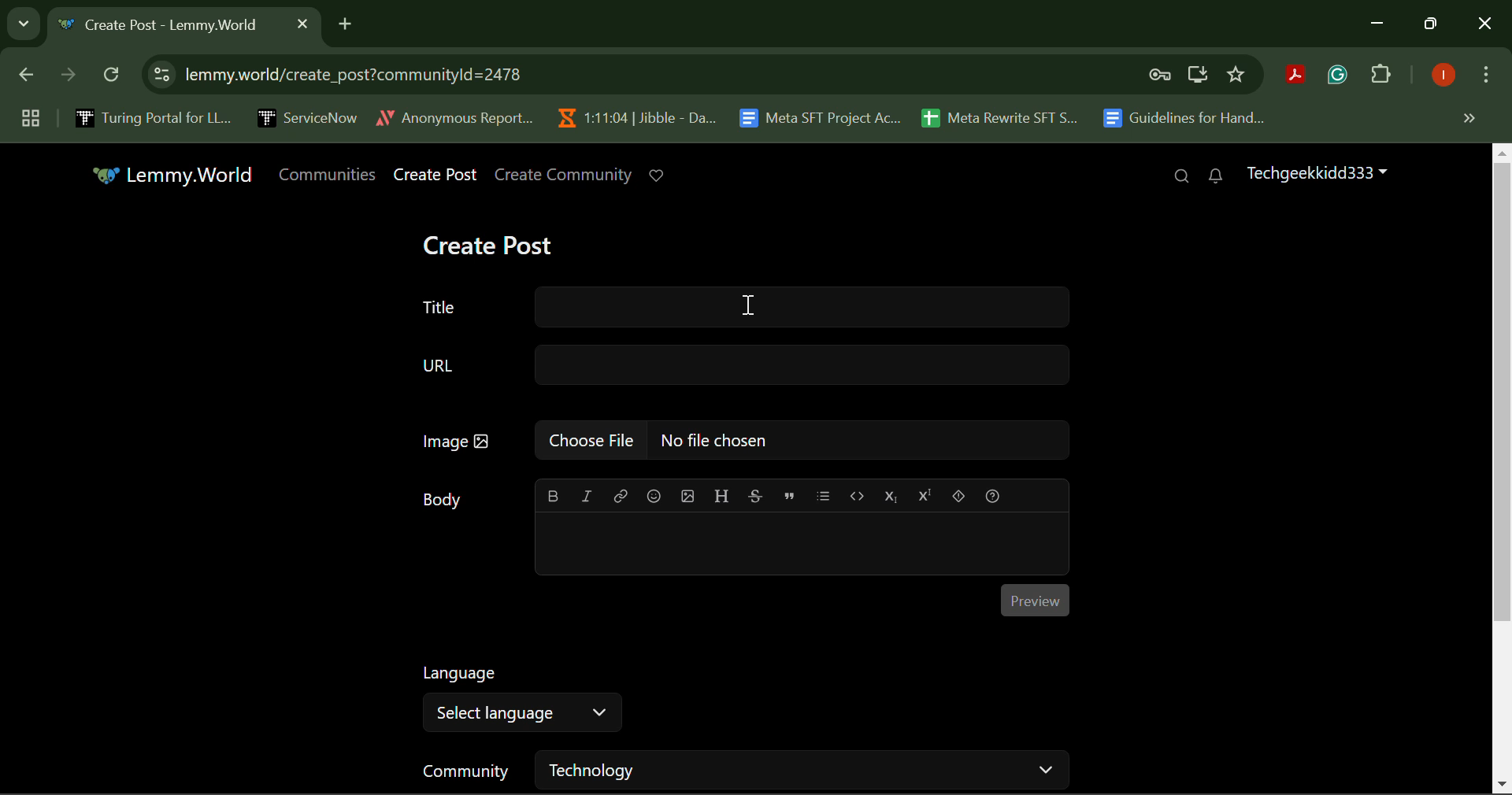  Describe the element at coordinates (176, 176) in the screenshot. I see `Lemmy.World` at that location.